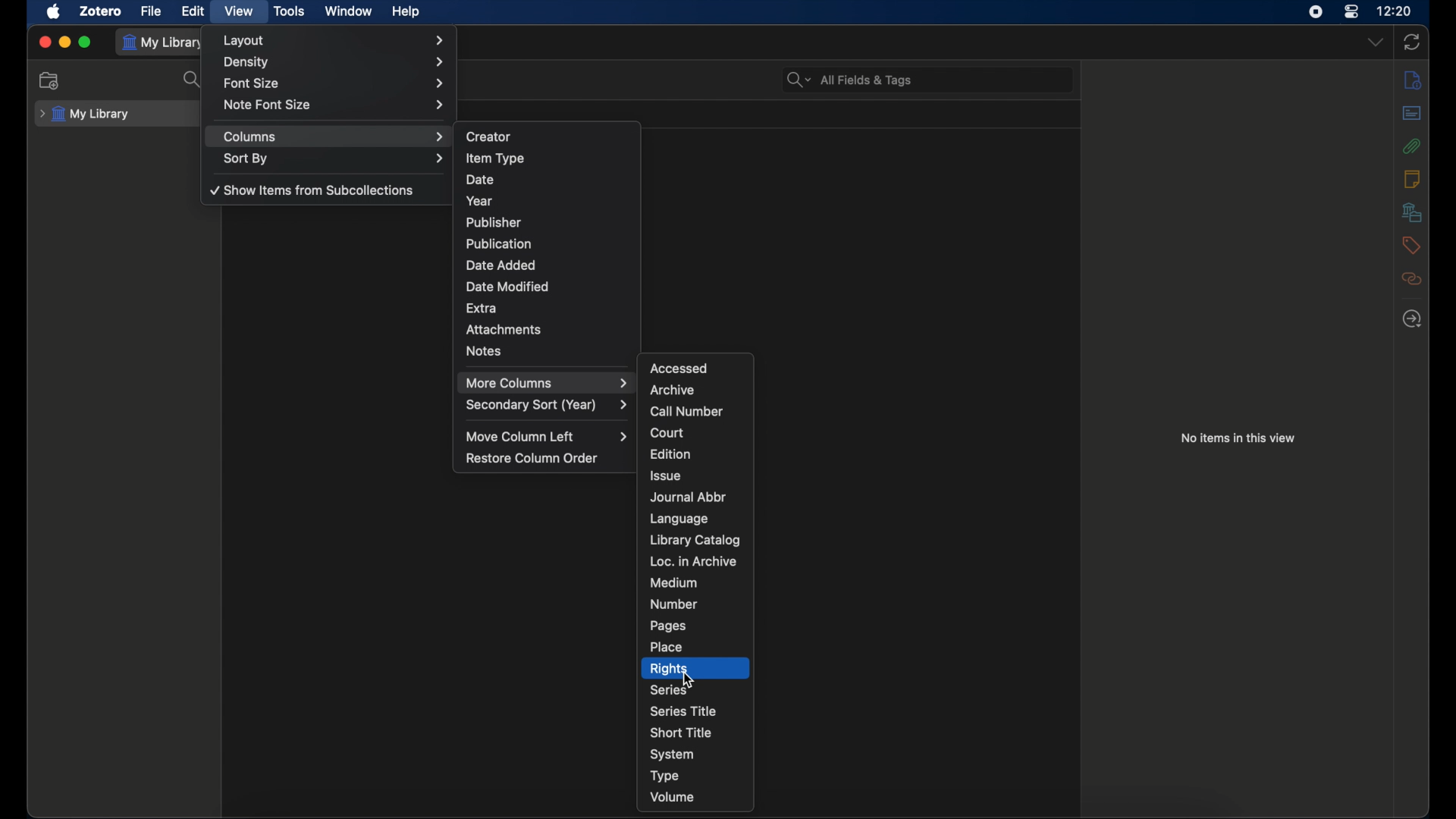  What do you see at coordinates (848, 80) in the screenshot?
I see `search bar` at bounding box center [848, 80].